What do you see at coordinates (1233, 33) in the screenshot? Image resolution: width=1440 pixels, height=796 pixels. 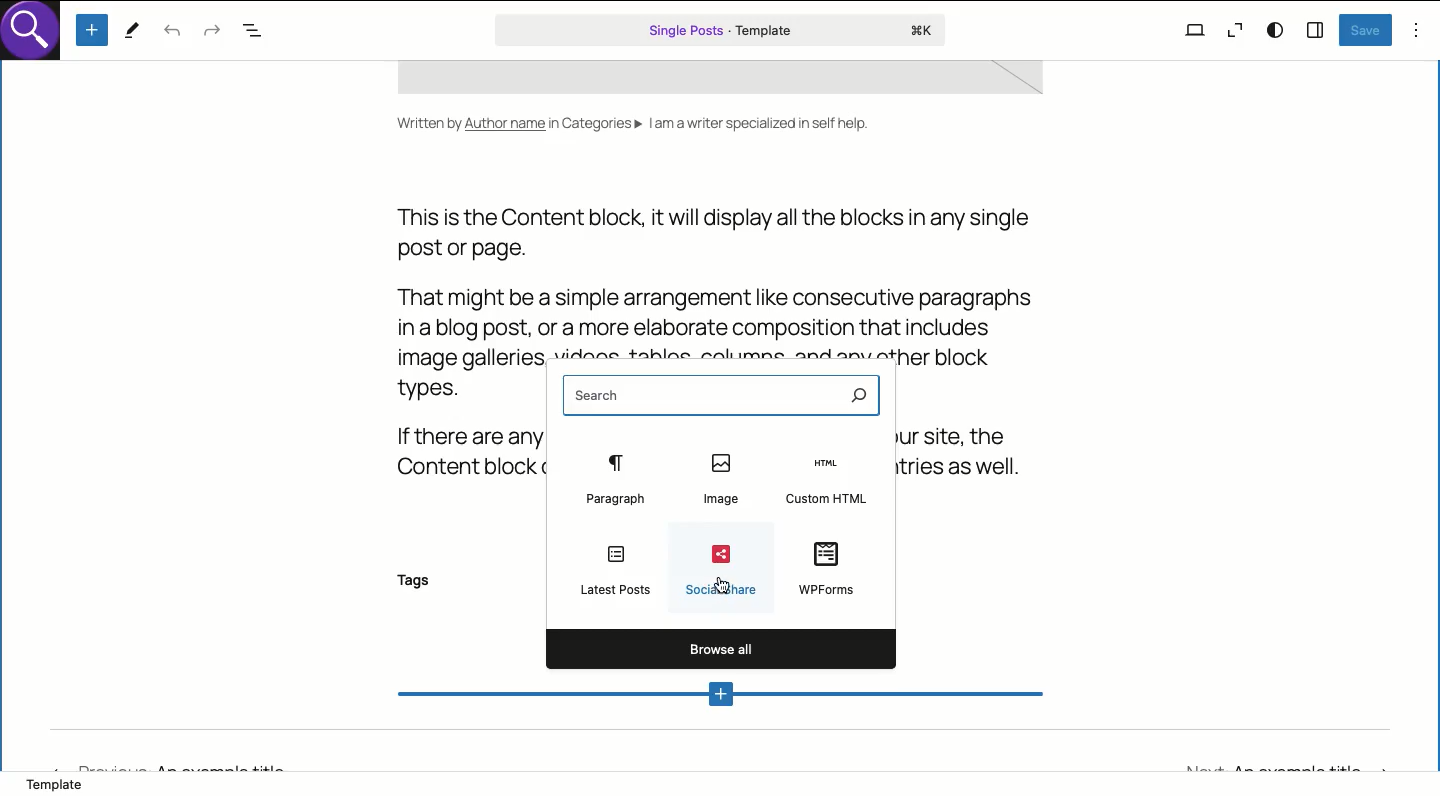 I see `Zoom out` at bounding box center [1233, 33].